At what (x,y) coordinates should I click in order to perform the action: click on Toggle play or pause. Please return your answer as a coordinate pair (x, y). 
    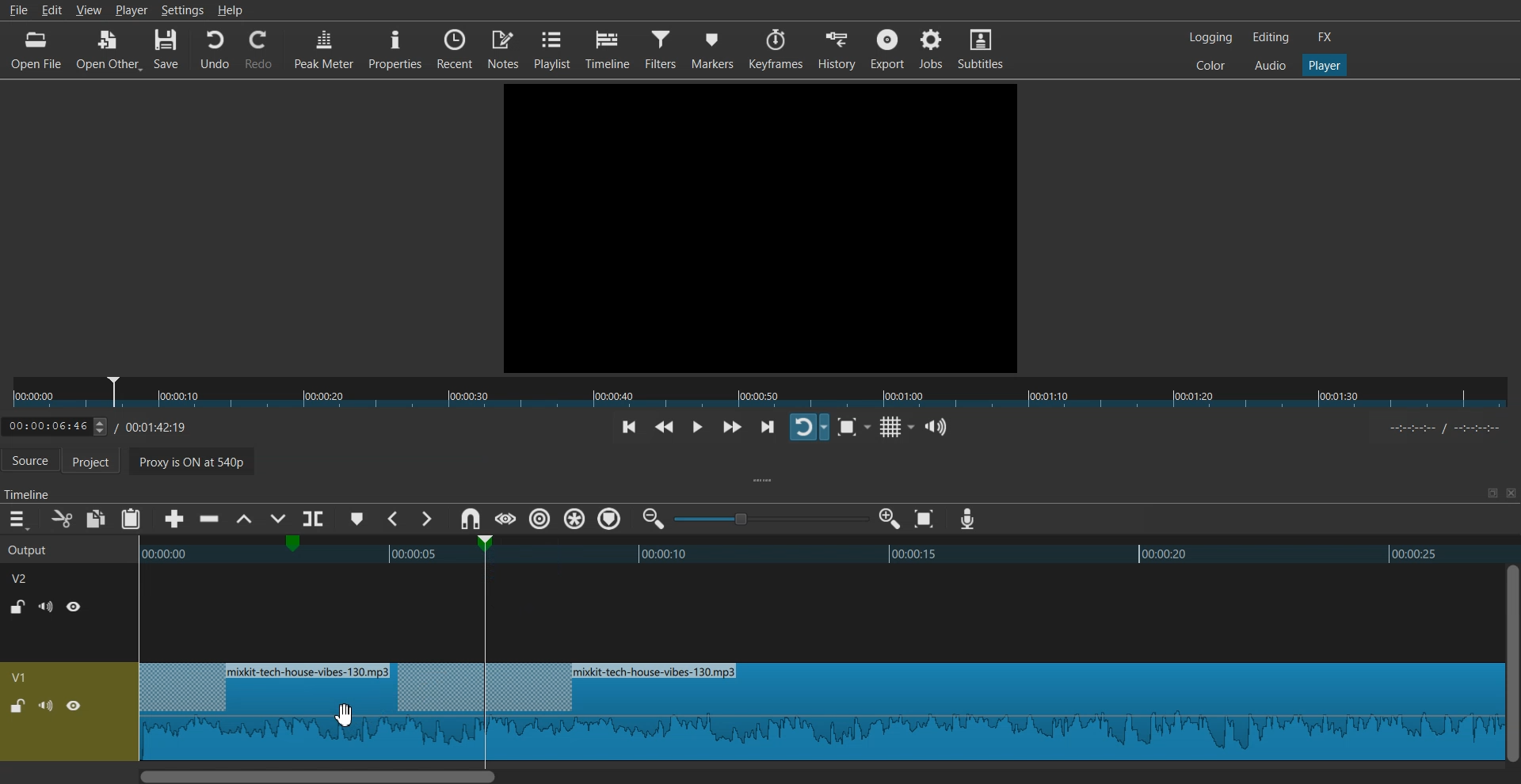
    Looking at the image, I should click on (696, 428).